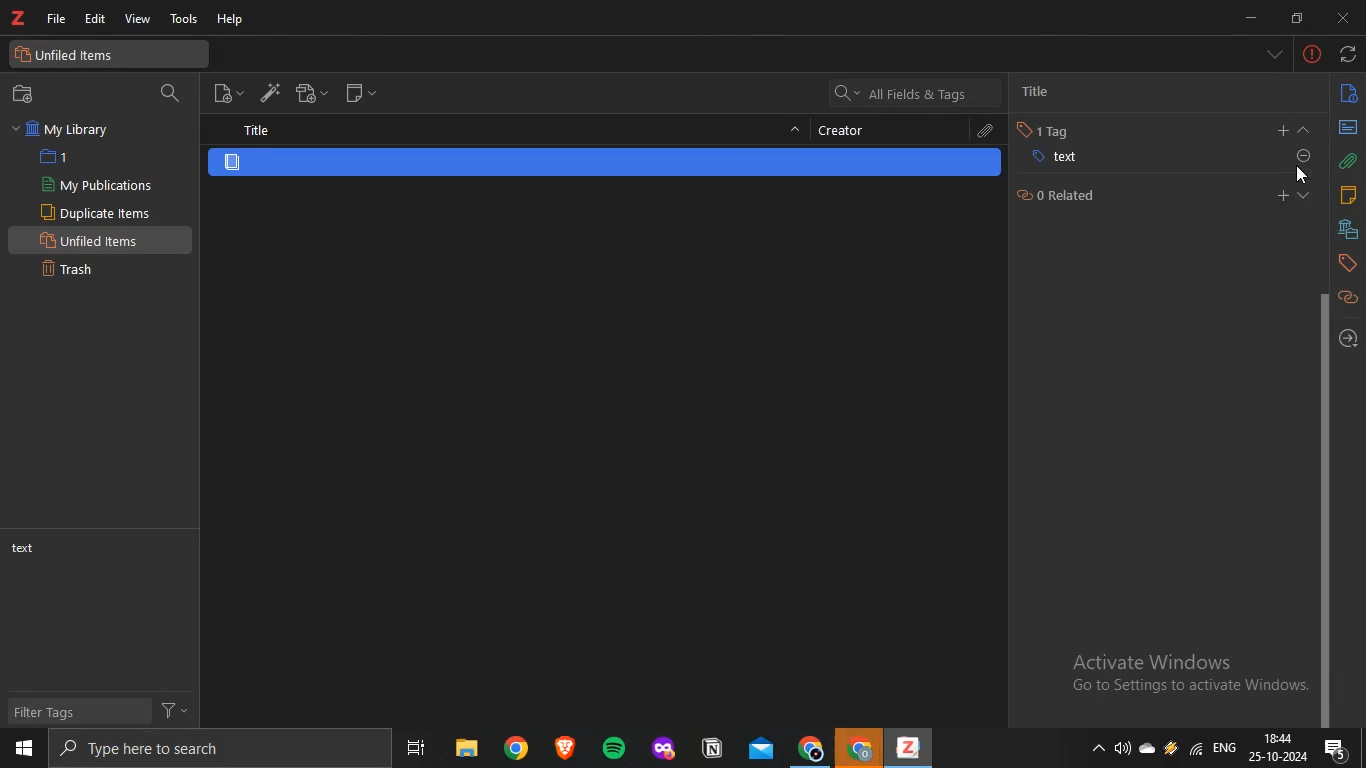  I want to click on files, so click(463, 748).